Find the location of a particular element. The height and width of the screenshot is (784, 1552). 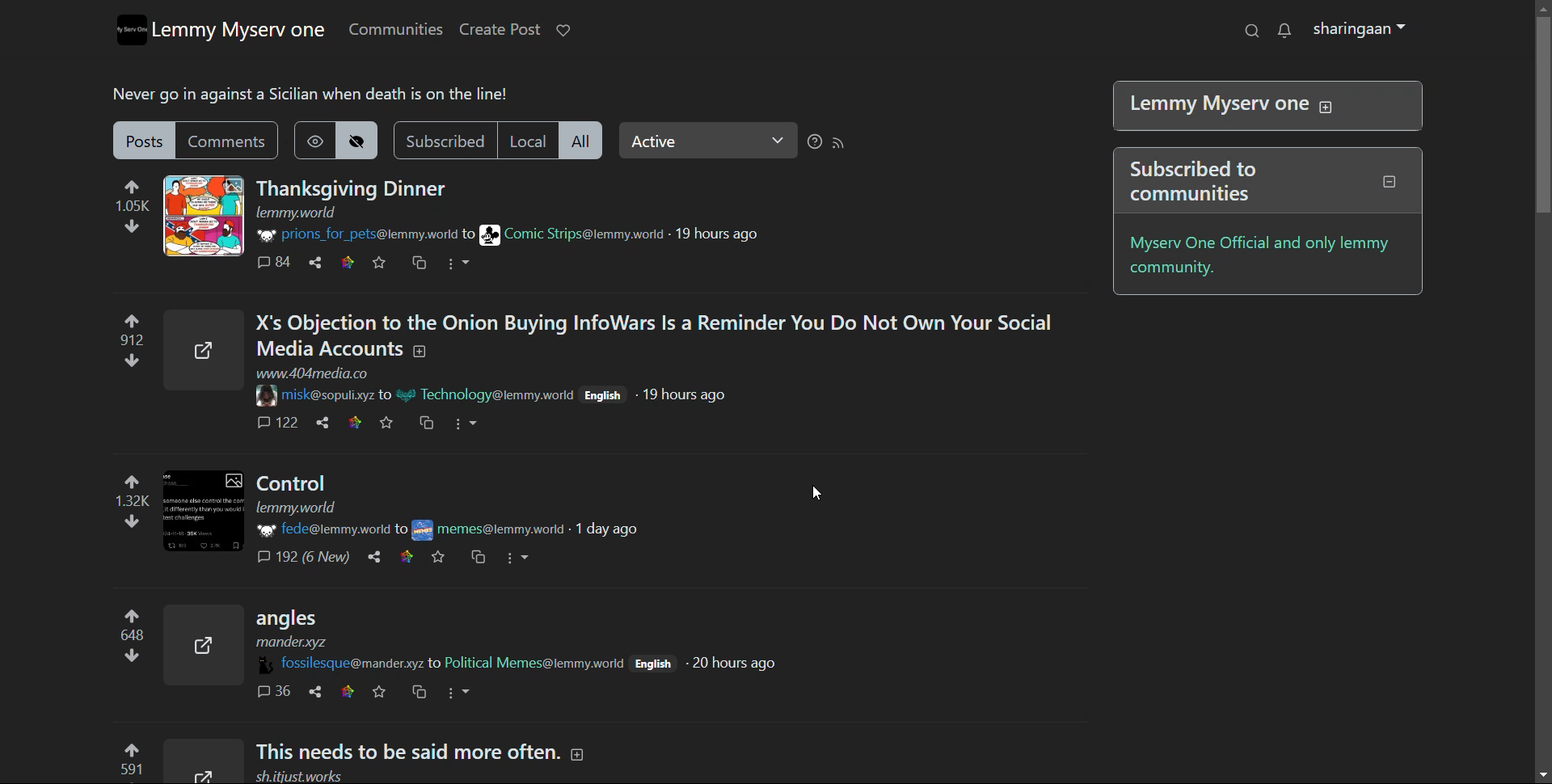

all is located at coordinates (584, 141).